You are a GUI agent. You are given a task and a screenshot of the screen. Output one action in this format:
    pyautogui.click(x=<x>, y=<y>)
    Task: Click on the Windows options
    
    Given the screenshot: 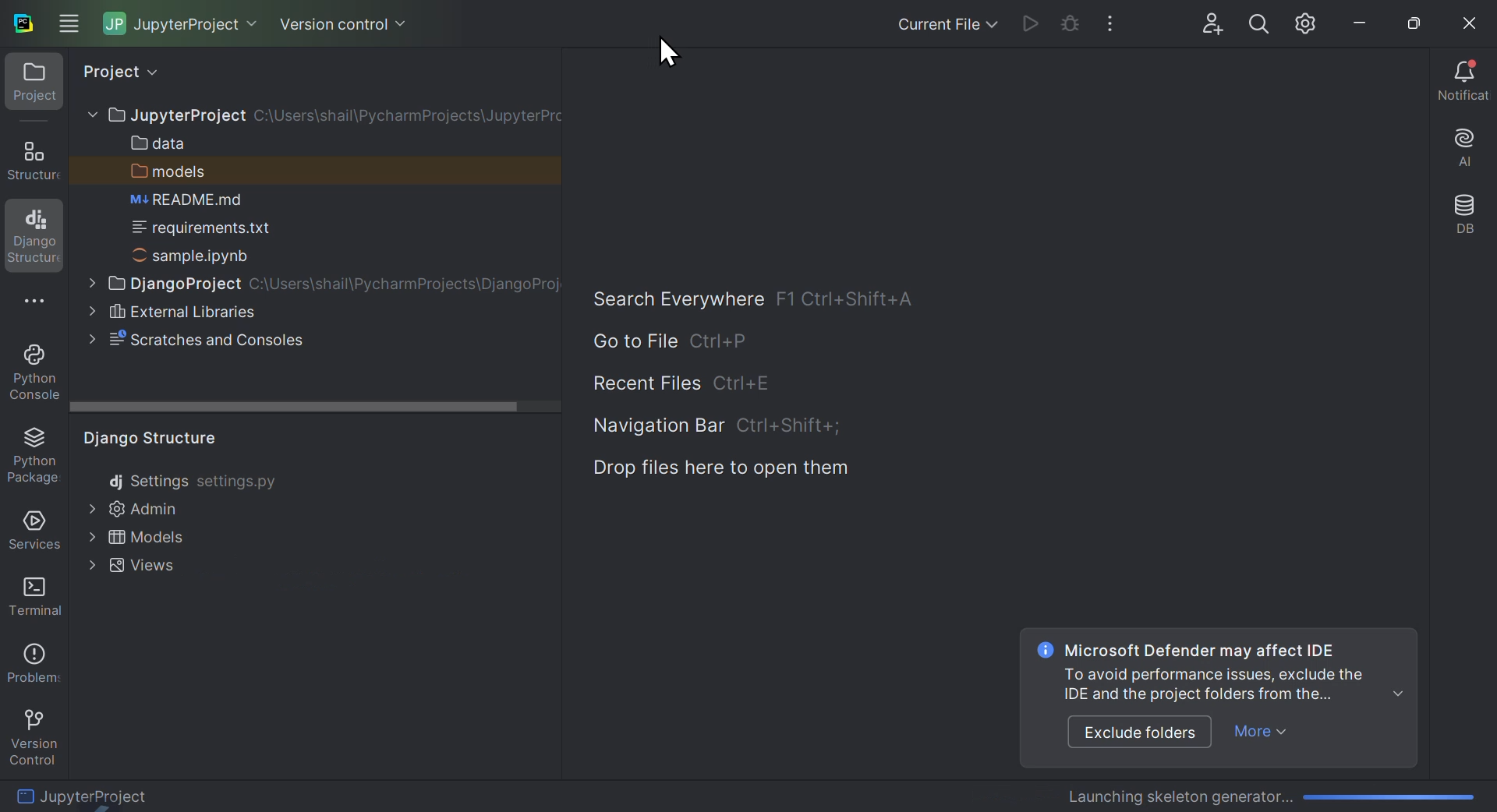 What is the action you would take?
    pyautogui.click(x=67, y=19)
    